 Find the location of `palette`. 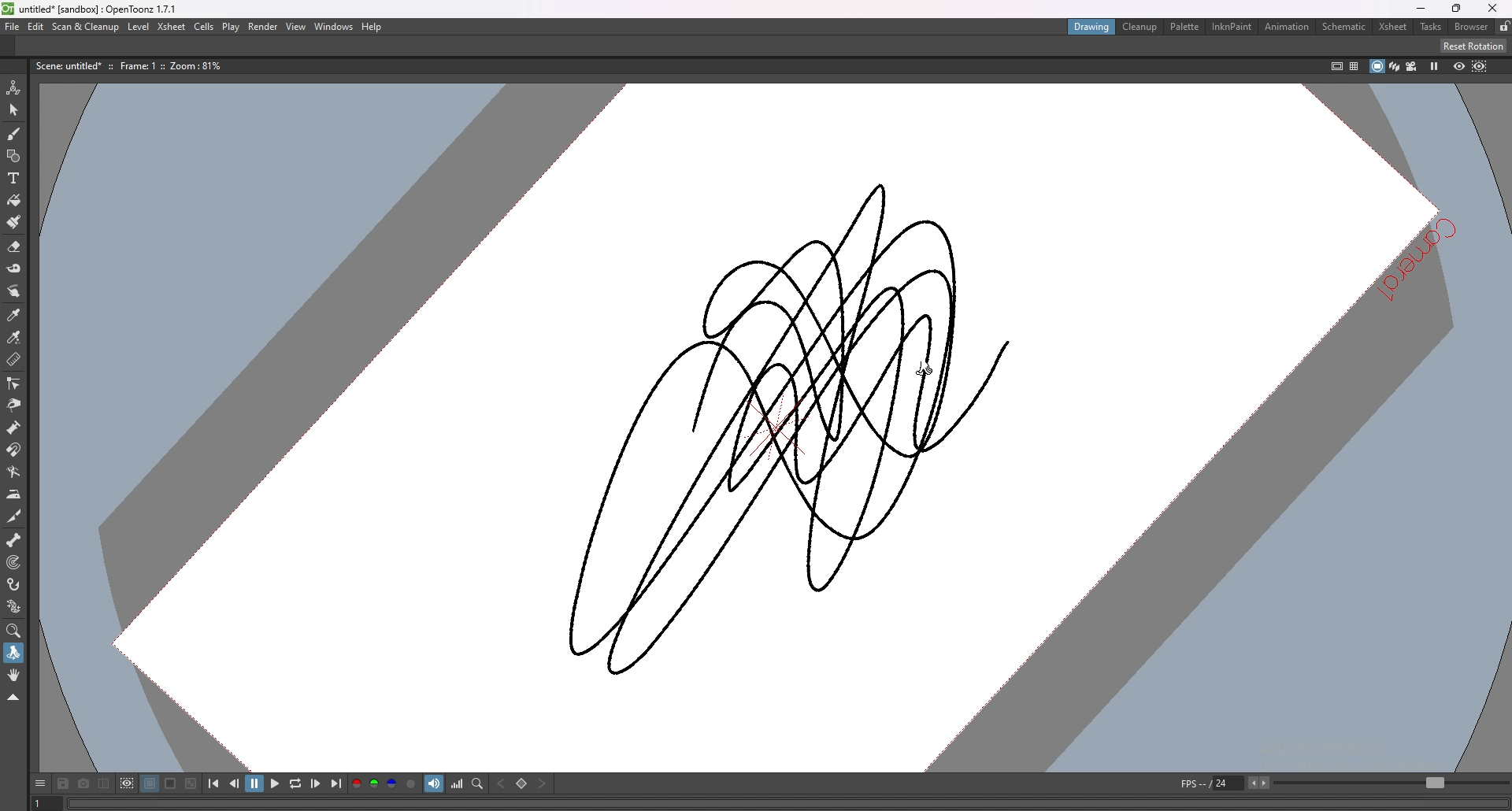

palette is located at coordinates (1185, 28).